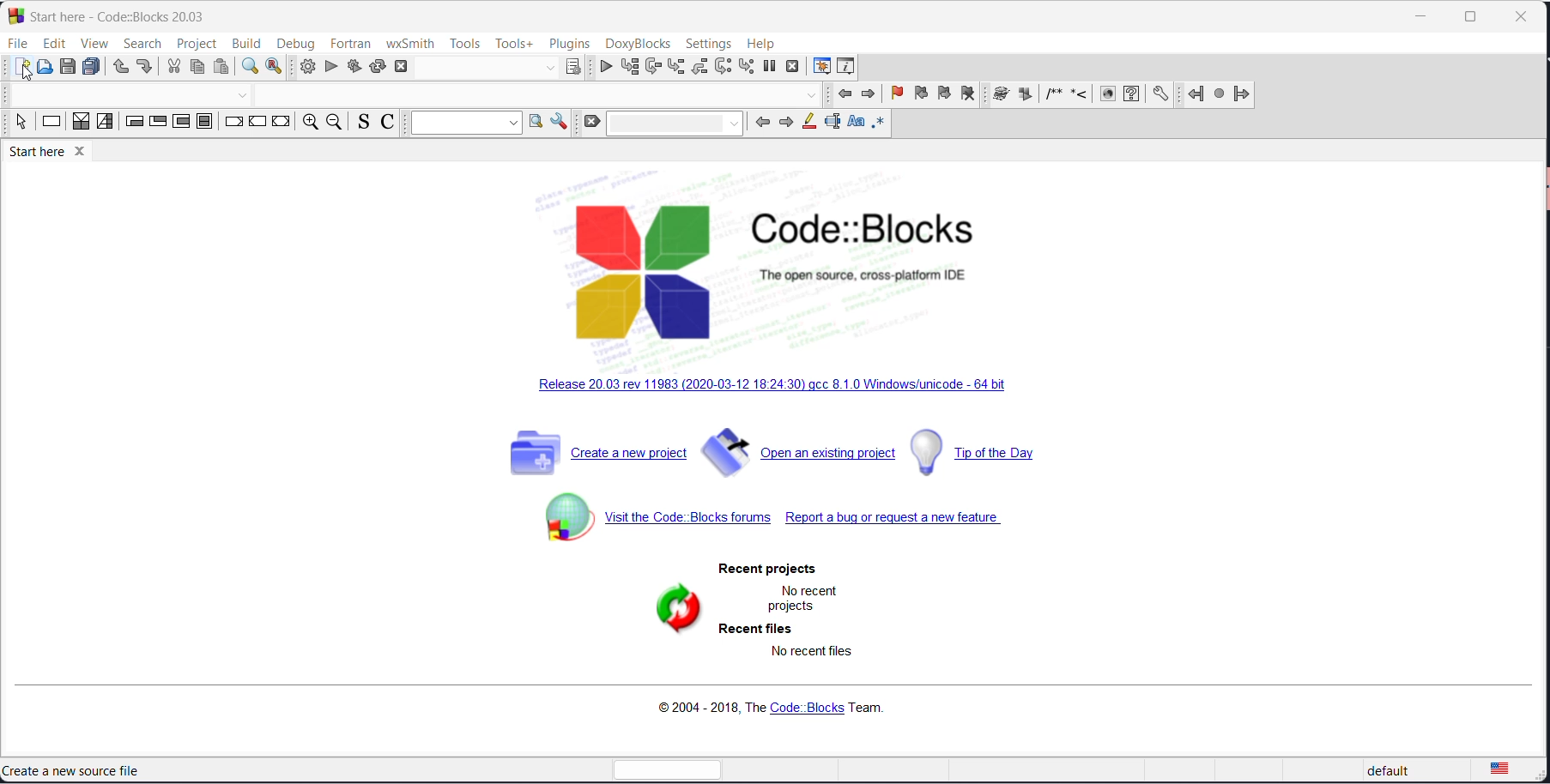  I want to click on cut, so click(175, 67).